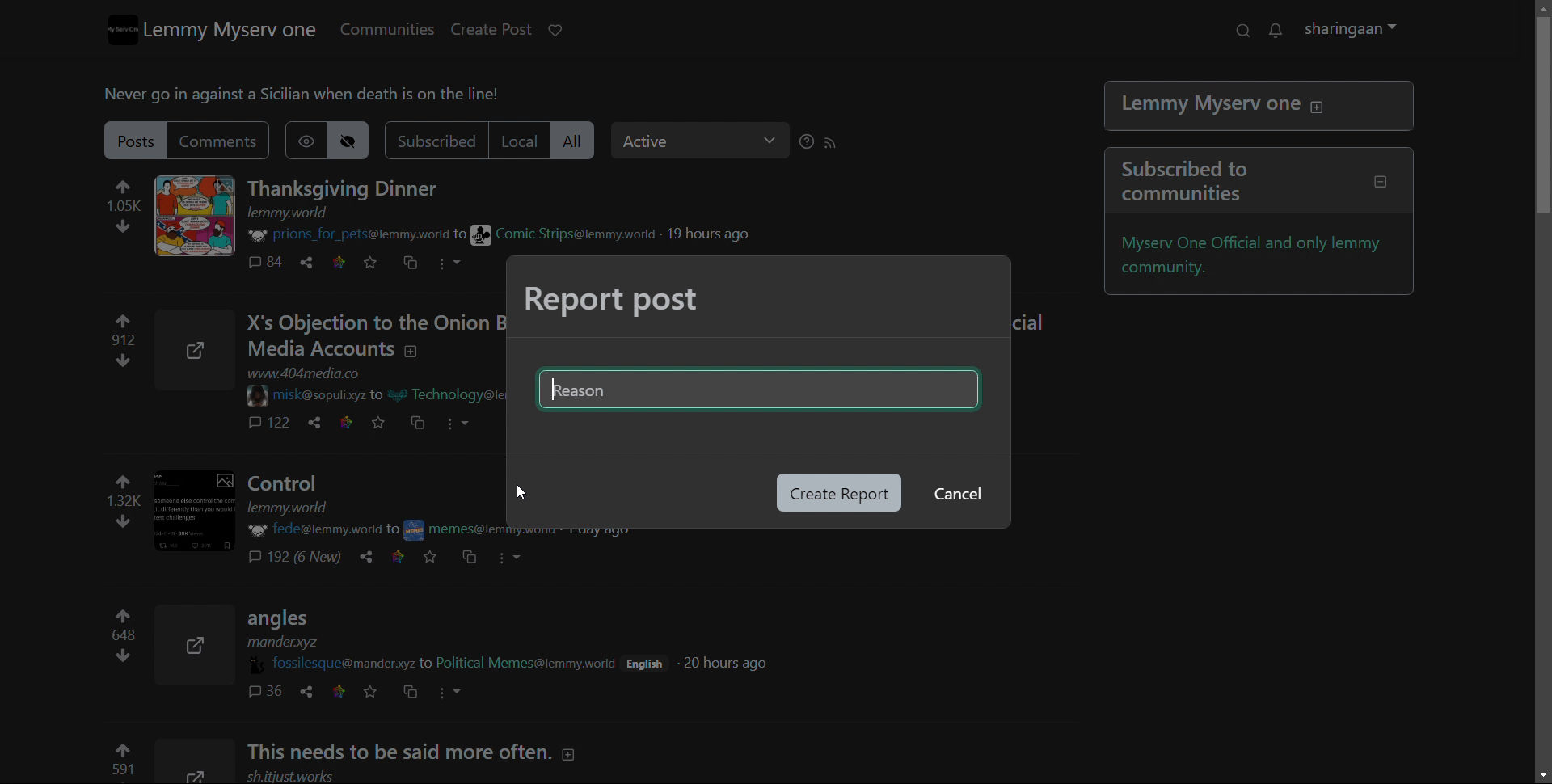  What do you see at coordinates (346, 692) in the screenshot?
I see `link` at bounding box center [346, 692].